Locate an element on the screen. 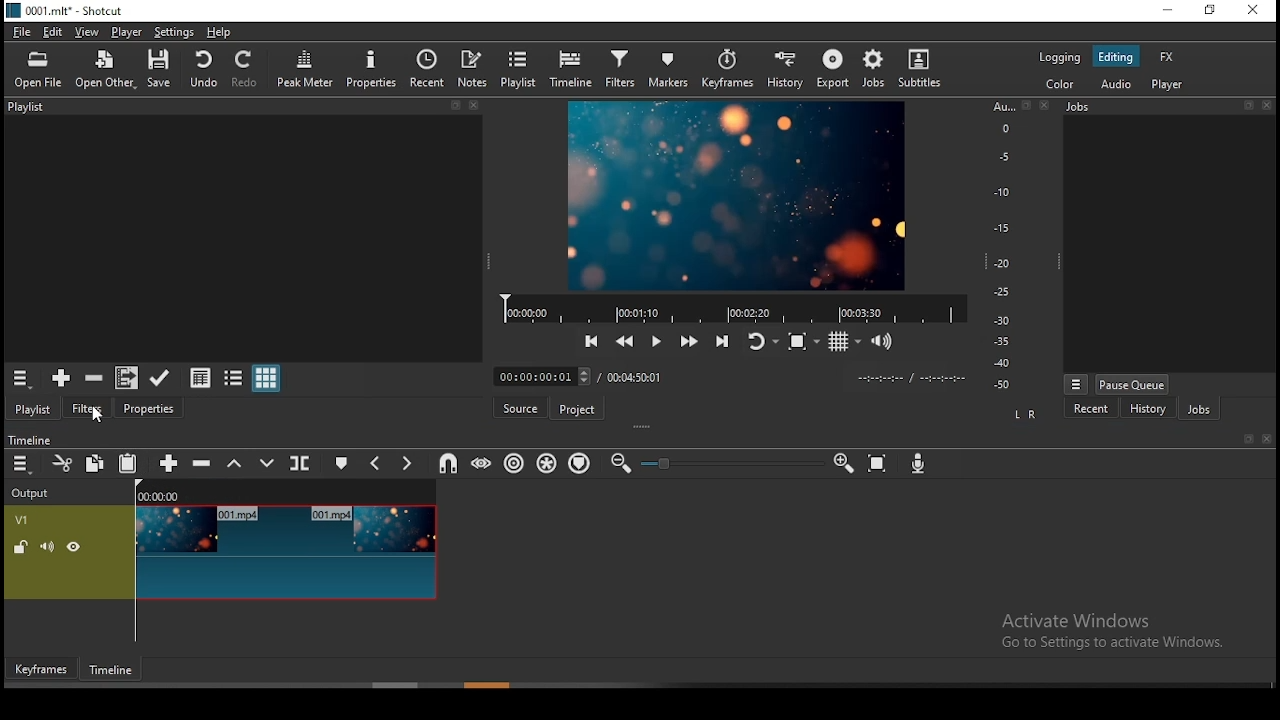 The image size is (1280, 720). ripple is located at coordinates (511, 463).